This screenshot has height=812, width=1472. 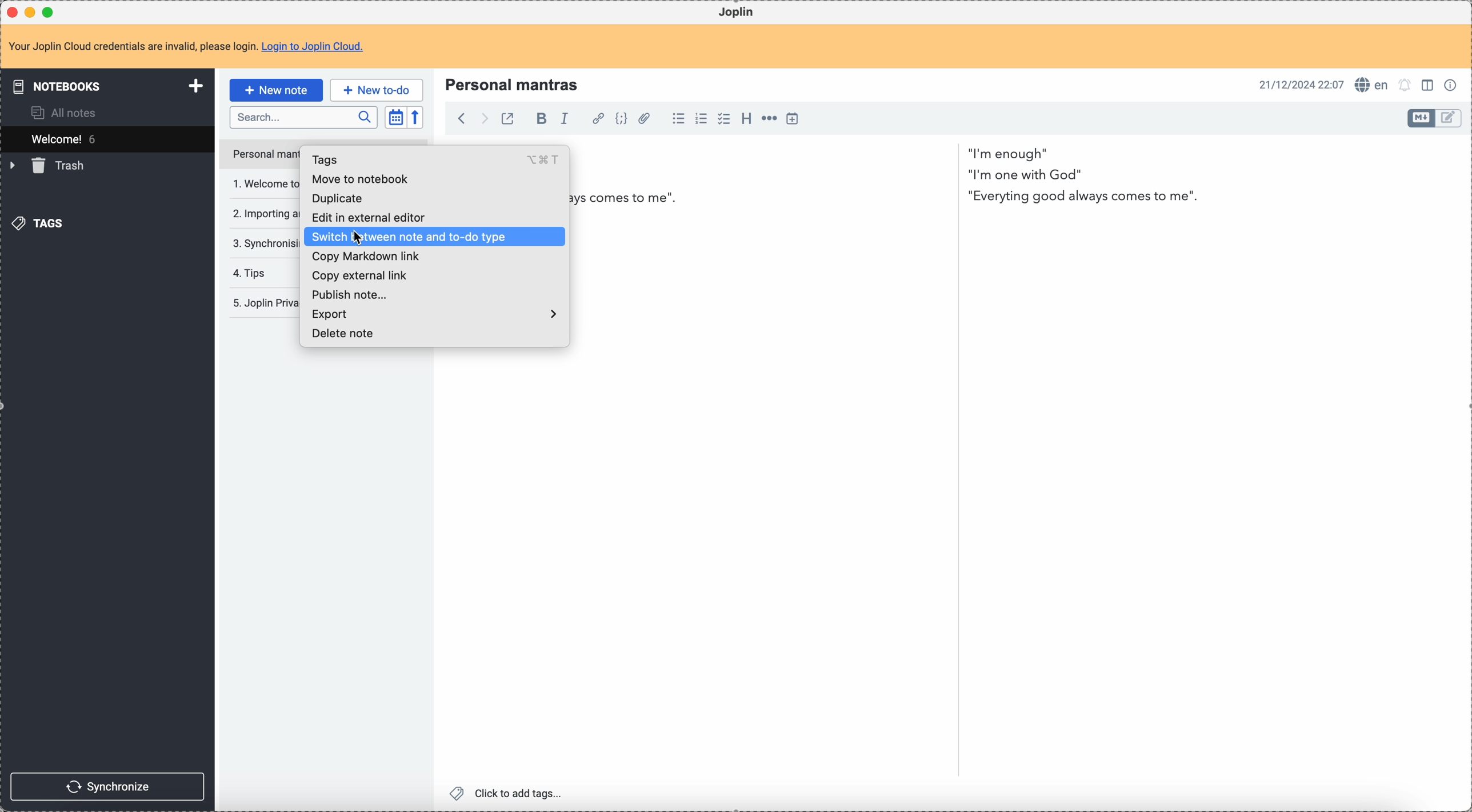 I want to click on all notes, so click(x=62, y=112).